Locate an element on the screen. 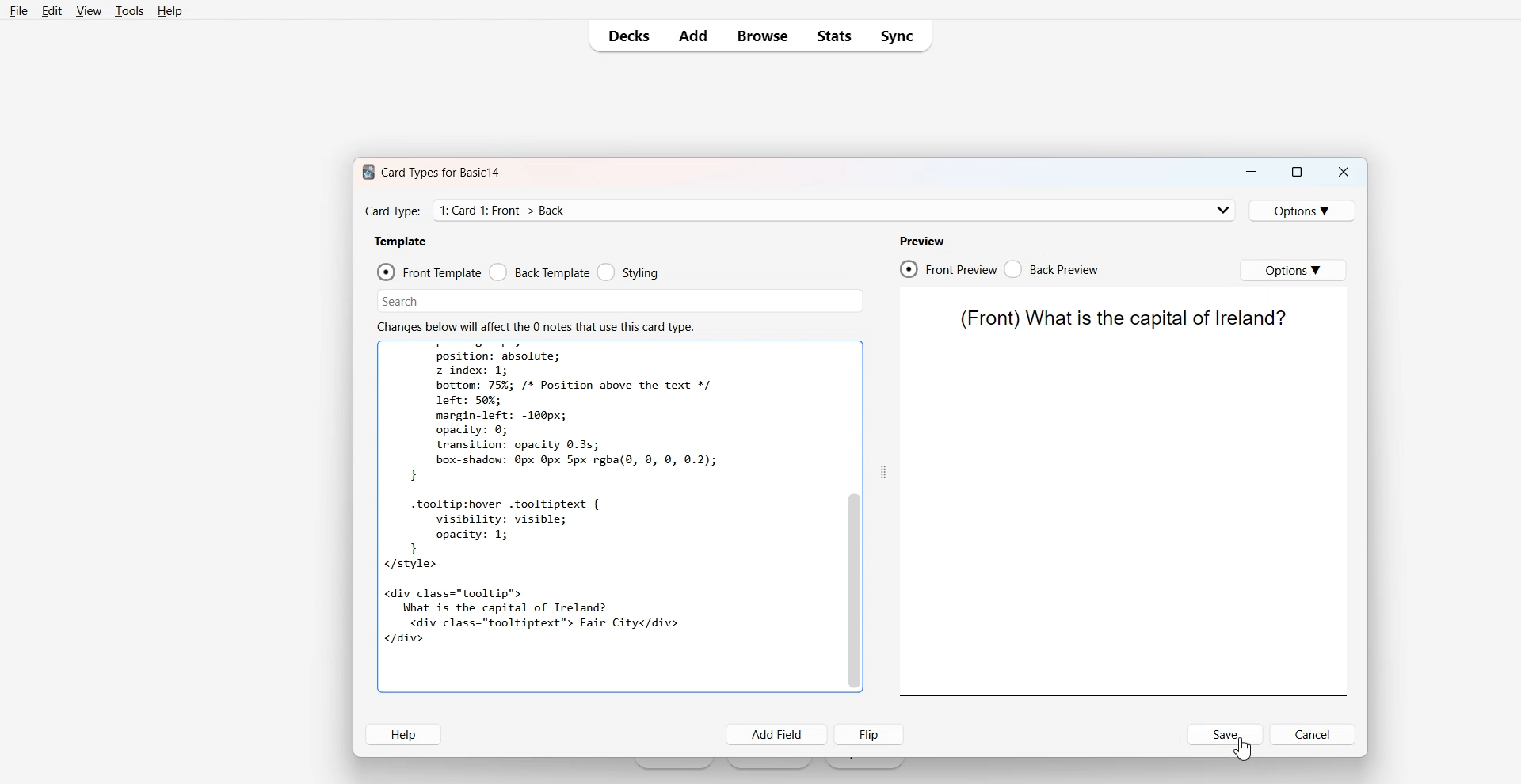 The height and width of the screenshot is (784, 1521). Text is located at coordinates (607, 517).